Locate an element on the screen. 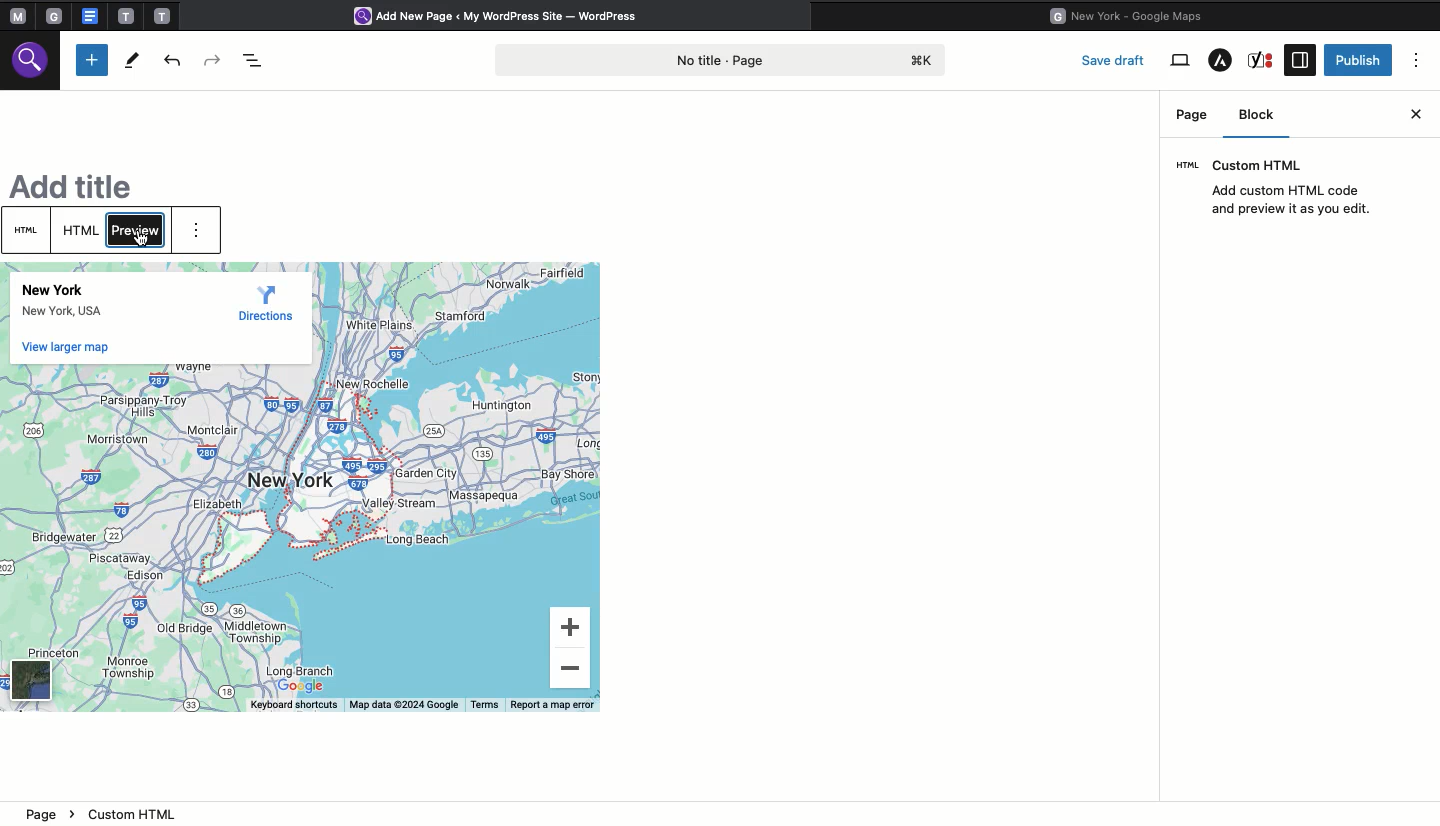 Image resolution: width=1440 pixels, height=826 pixels. Google maps is located at coordinates (1133, 14).